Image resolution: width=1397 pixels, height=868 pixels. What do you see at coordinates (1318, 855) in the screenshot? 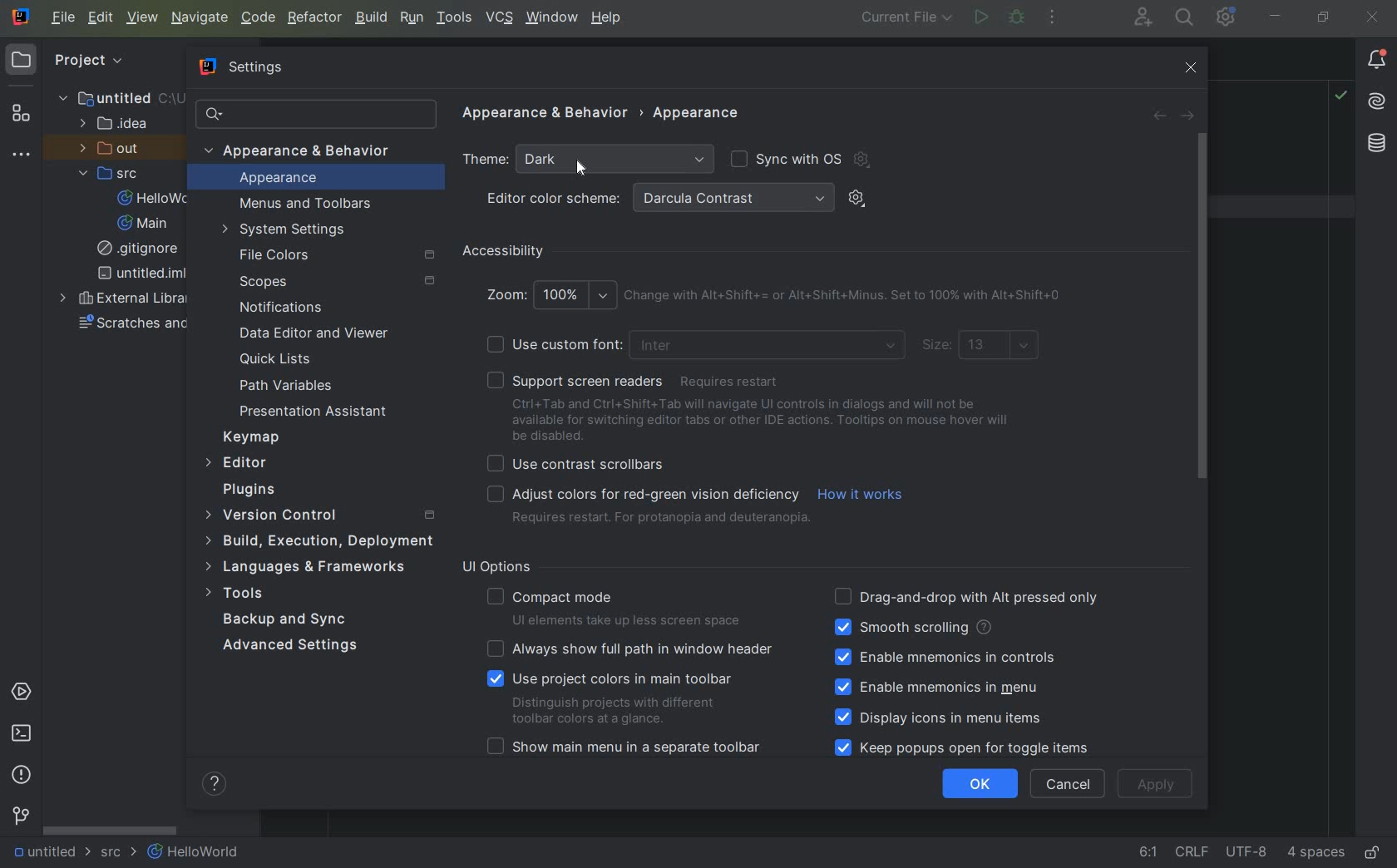
I see `4spaces(indent)` at bounding box center [1318, 855].